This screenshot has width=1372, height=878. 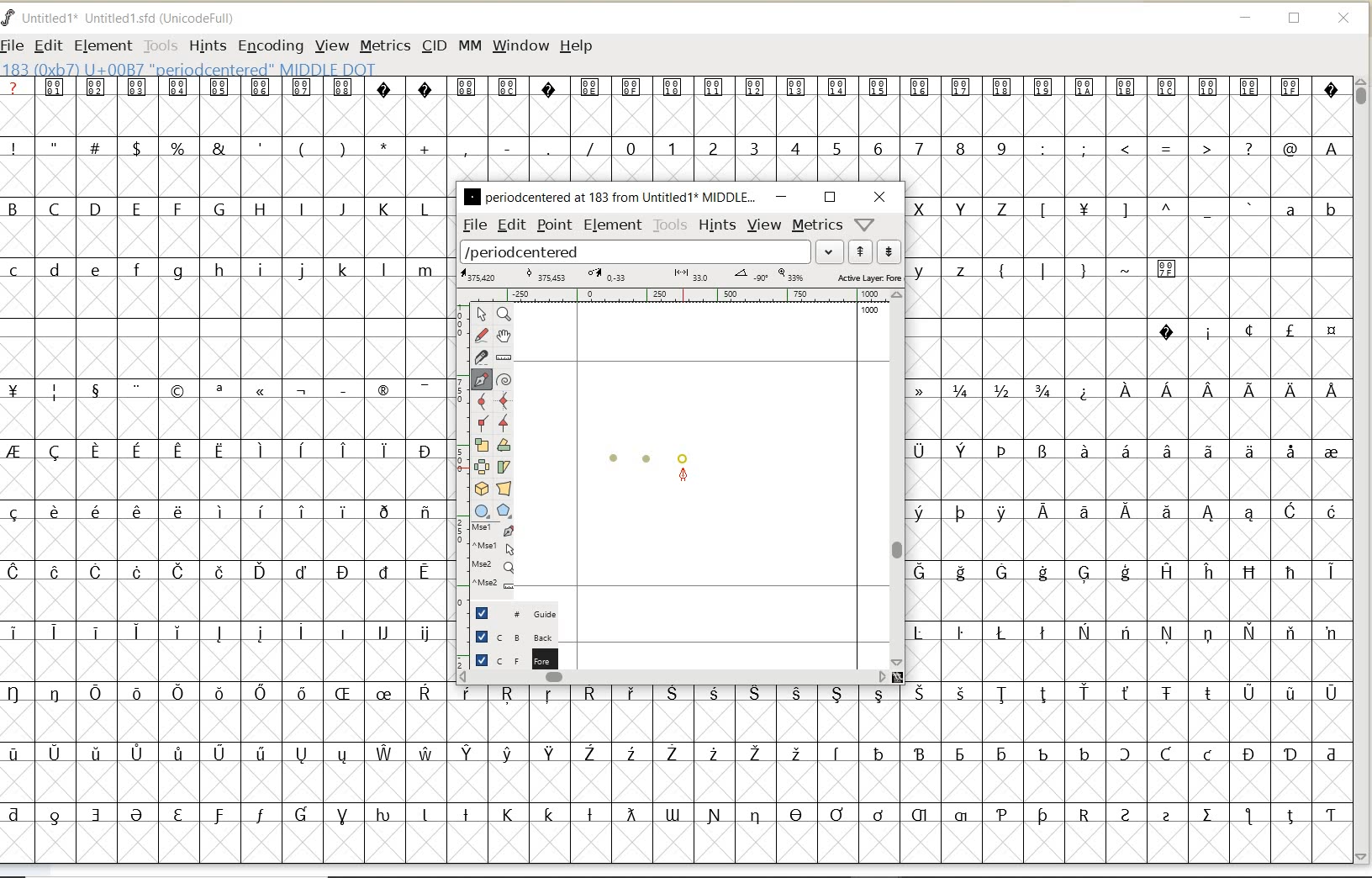 I want to click on help/window, so click(x=863, y=225).